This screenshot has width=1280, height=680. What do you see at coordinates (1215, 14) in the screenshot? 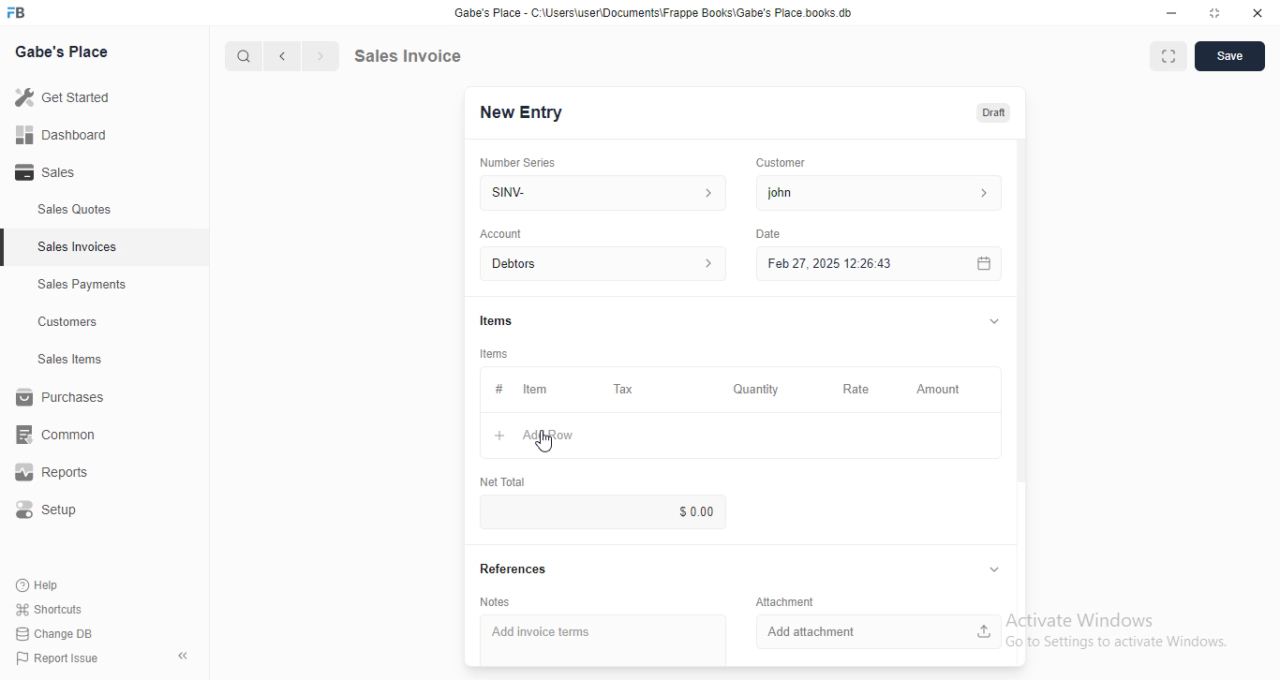
I see `Expand` at bounding box center [1215, 14].